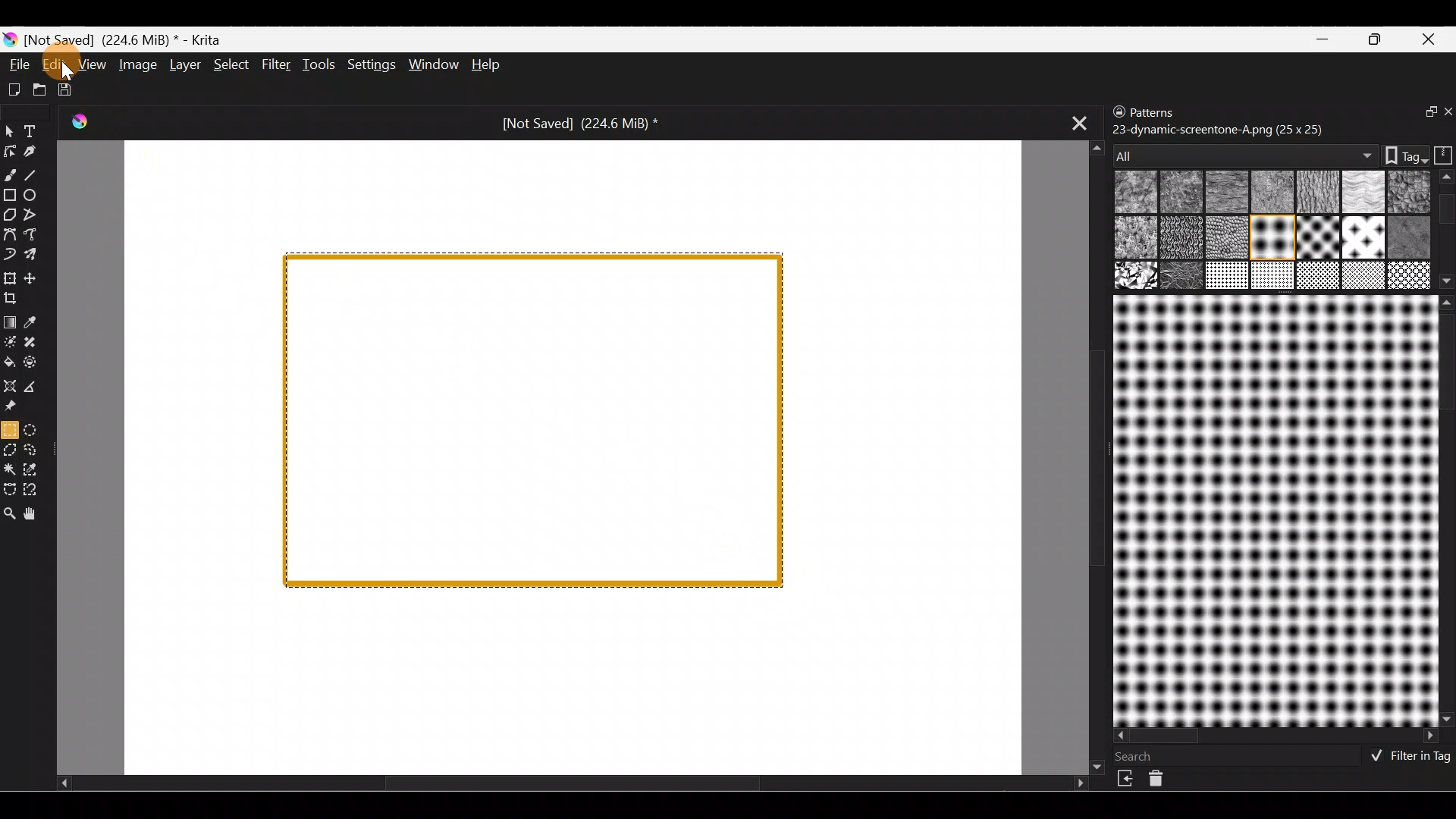  I want to click on 03 default-paper.png, so click(1269, 193).